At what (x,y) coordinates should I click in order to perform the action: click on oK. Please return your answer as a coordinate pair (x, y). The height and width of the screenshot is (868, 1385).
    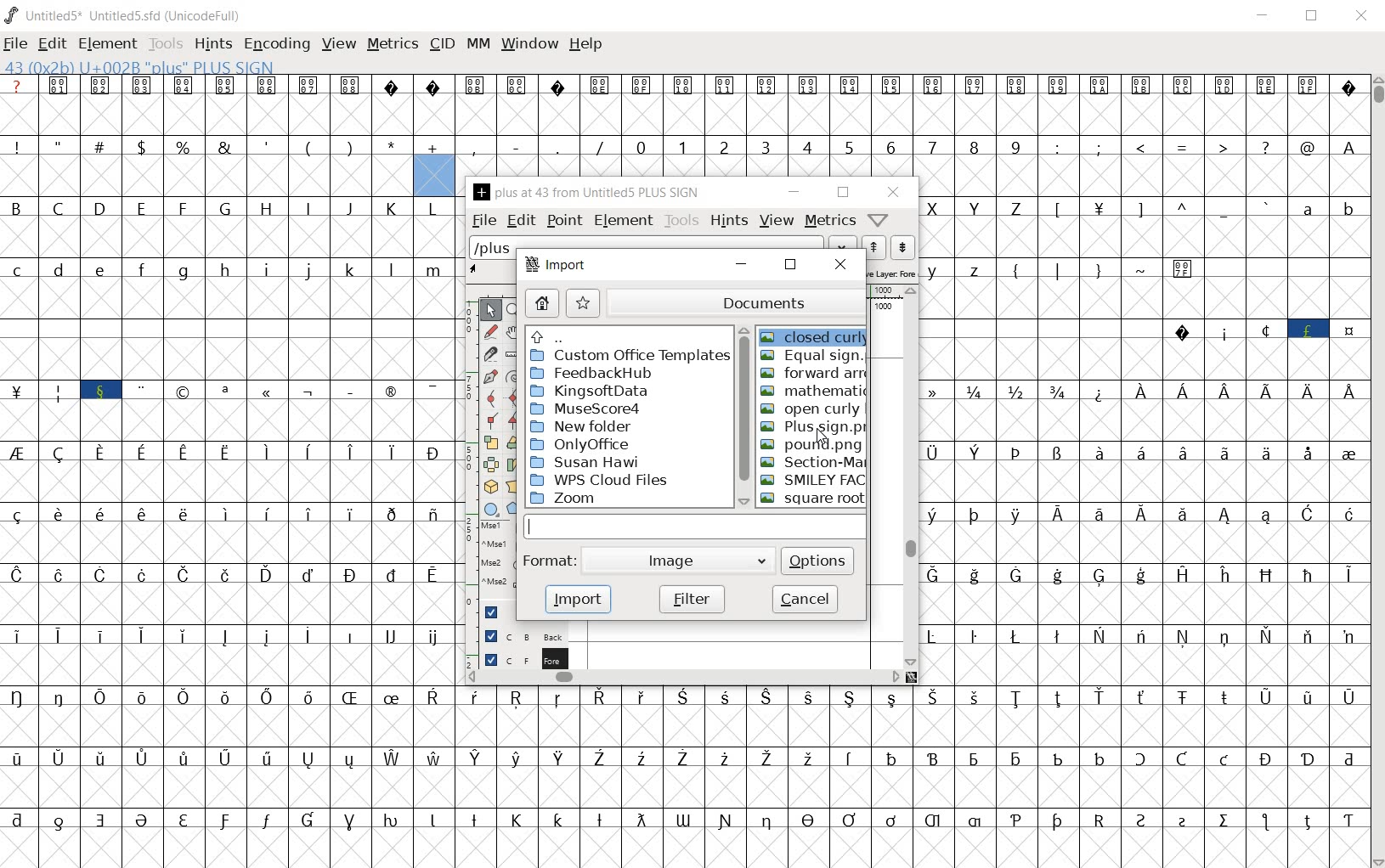
    Looking at the image, I should click on (1101, 410).